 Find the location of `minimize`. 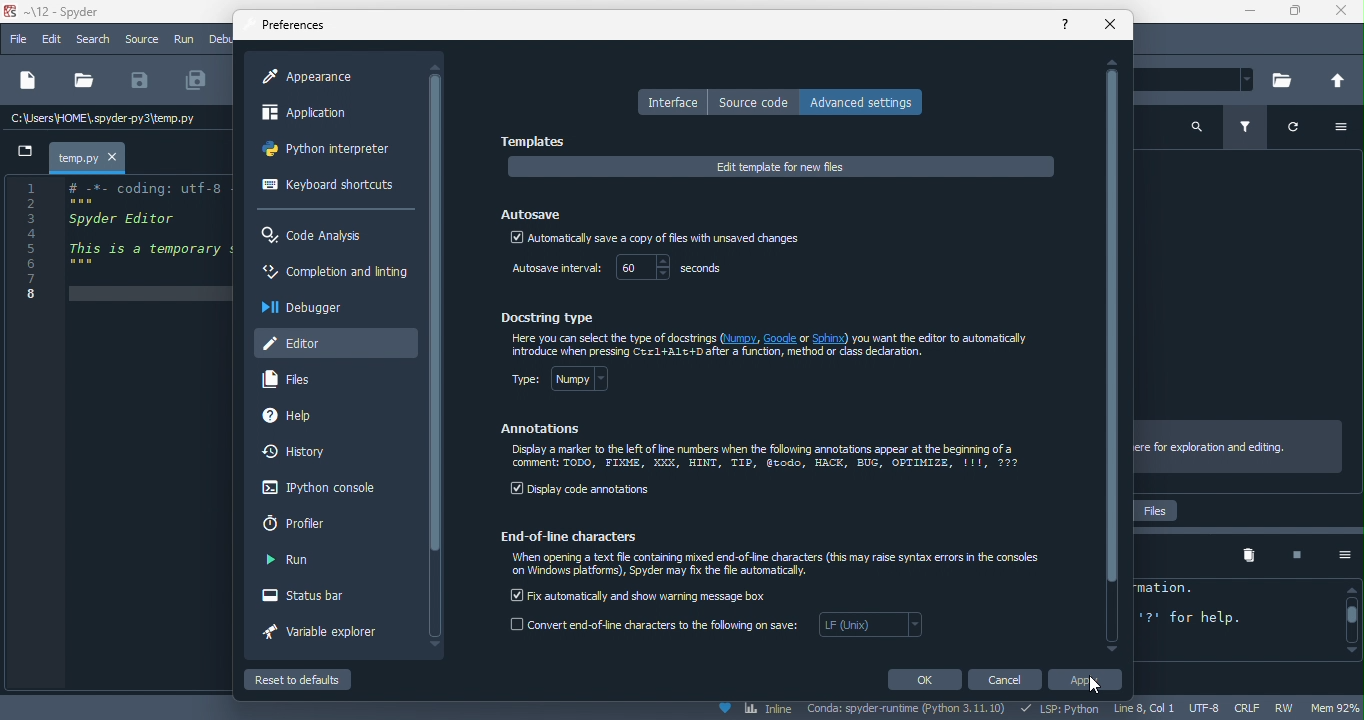

minimize is located at coordinates (1243, 13).